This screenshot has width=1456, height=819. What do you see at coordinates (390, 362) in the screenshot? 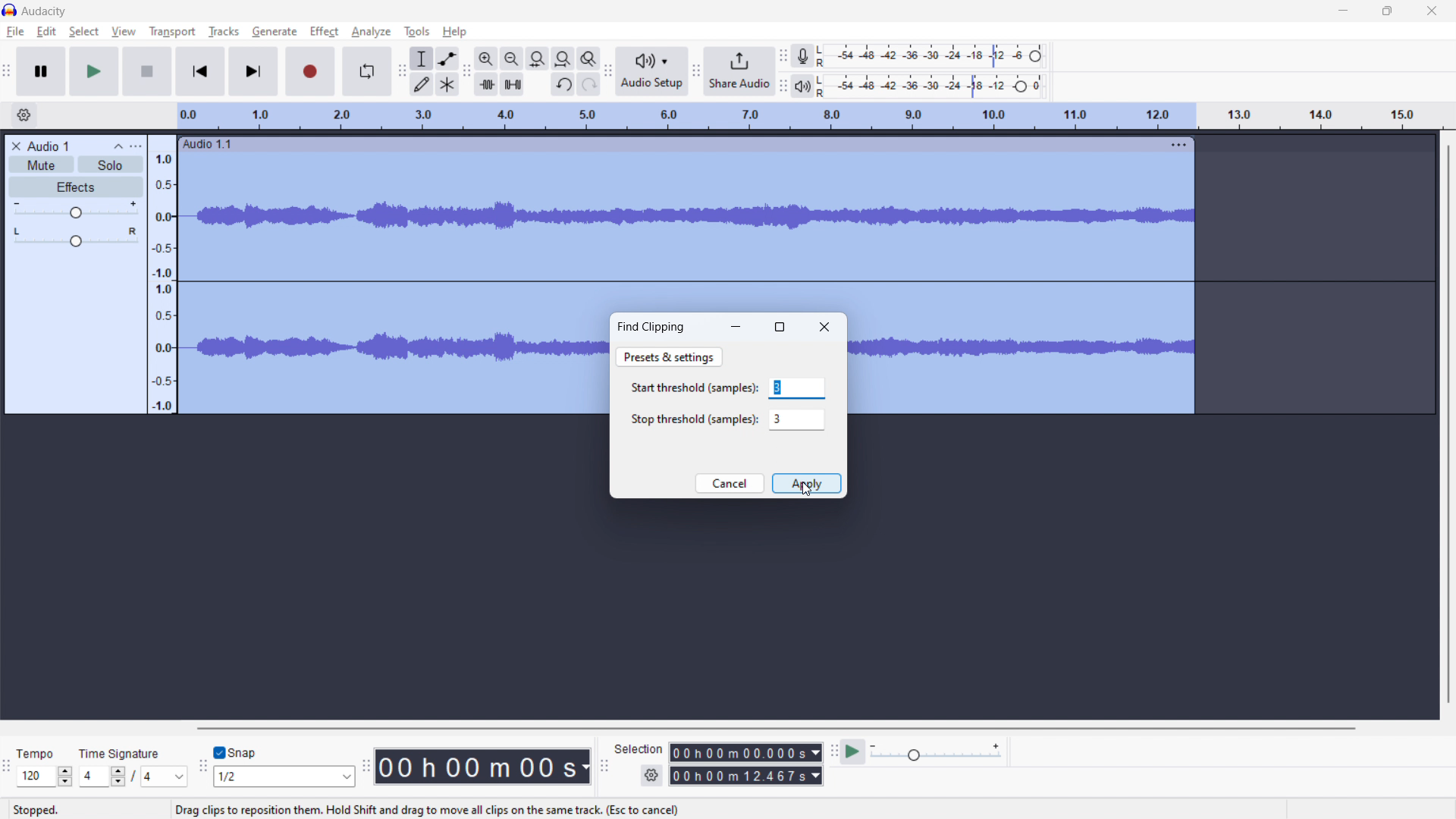
I see `tracked Selected ` at bounding box center [390, 362].